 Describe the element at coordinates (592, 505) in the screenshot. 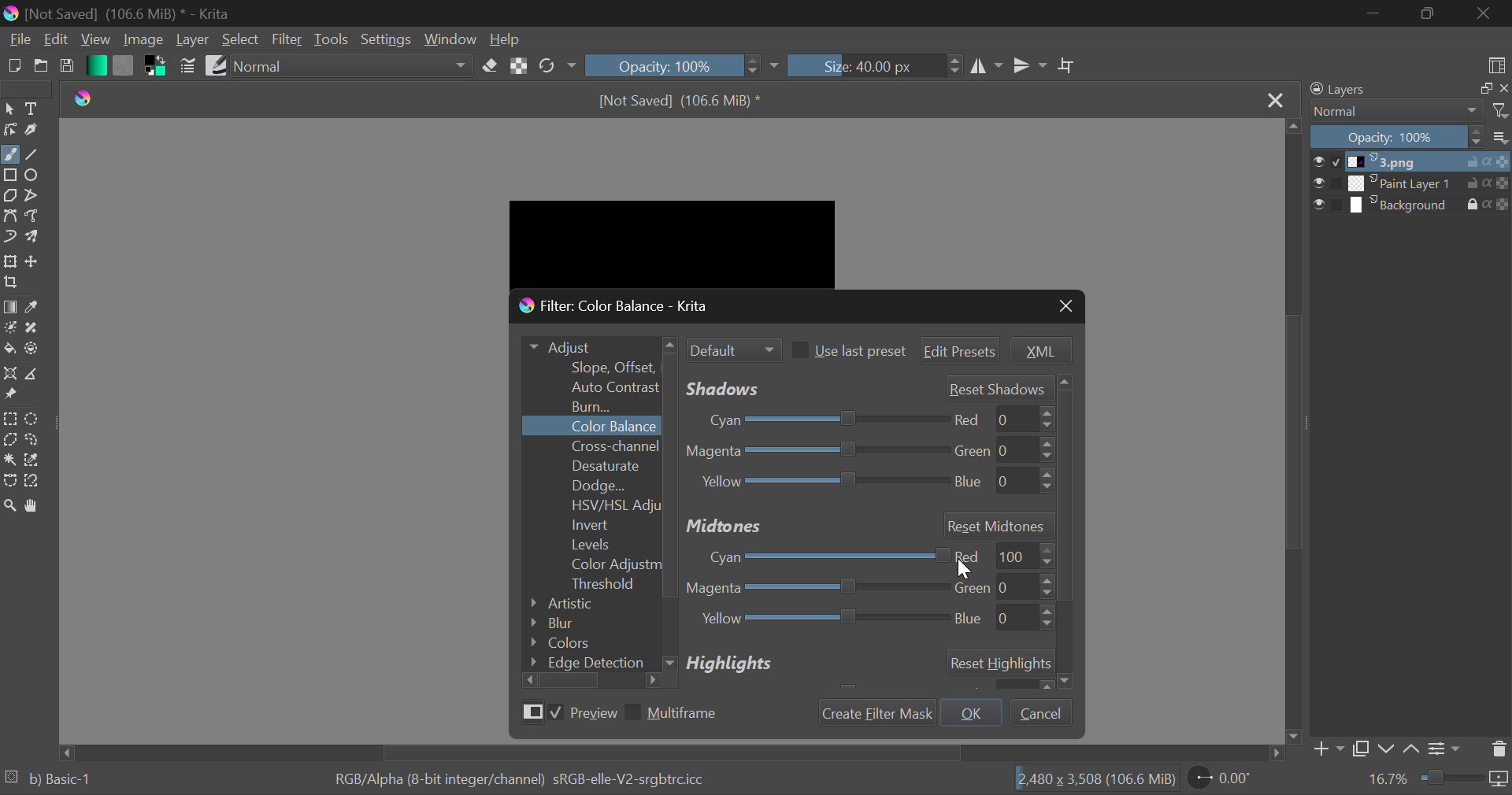

I see `HSV/HSL Adjustment` at that location.